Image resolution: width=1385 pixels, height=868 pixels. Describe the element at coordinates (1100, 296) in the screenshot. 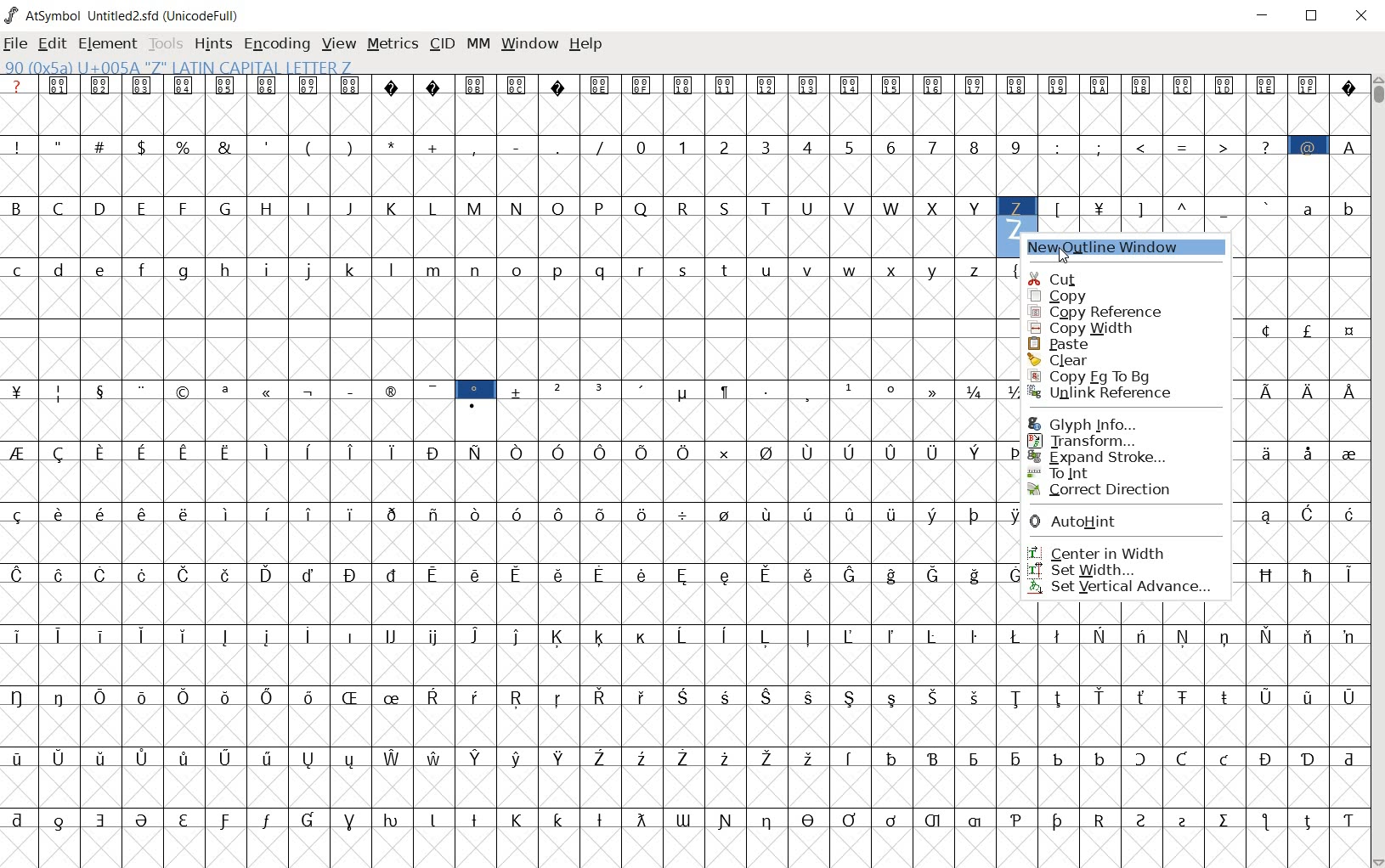

I see `copy` at that location.